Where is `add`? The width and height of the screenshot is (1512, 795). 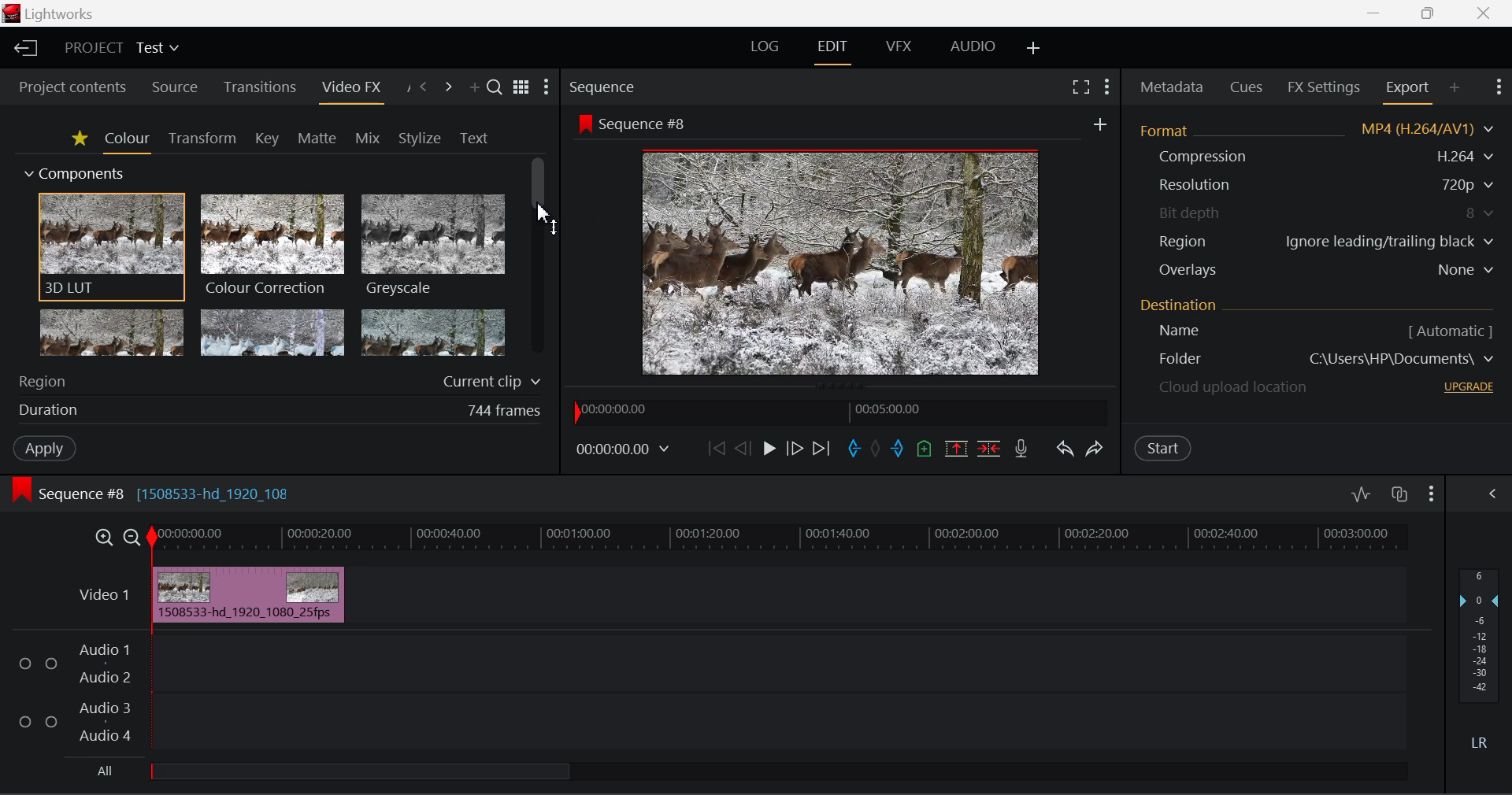
add is located at coordinates (1099, 124).